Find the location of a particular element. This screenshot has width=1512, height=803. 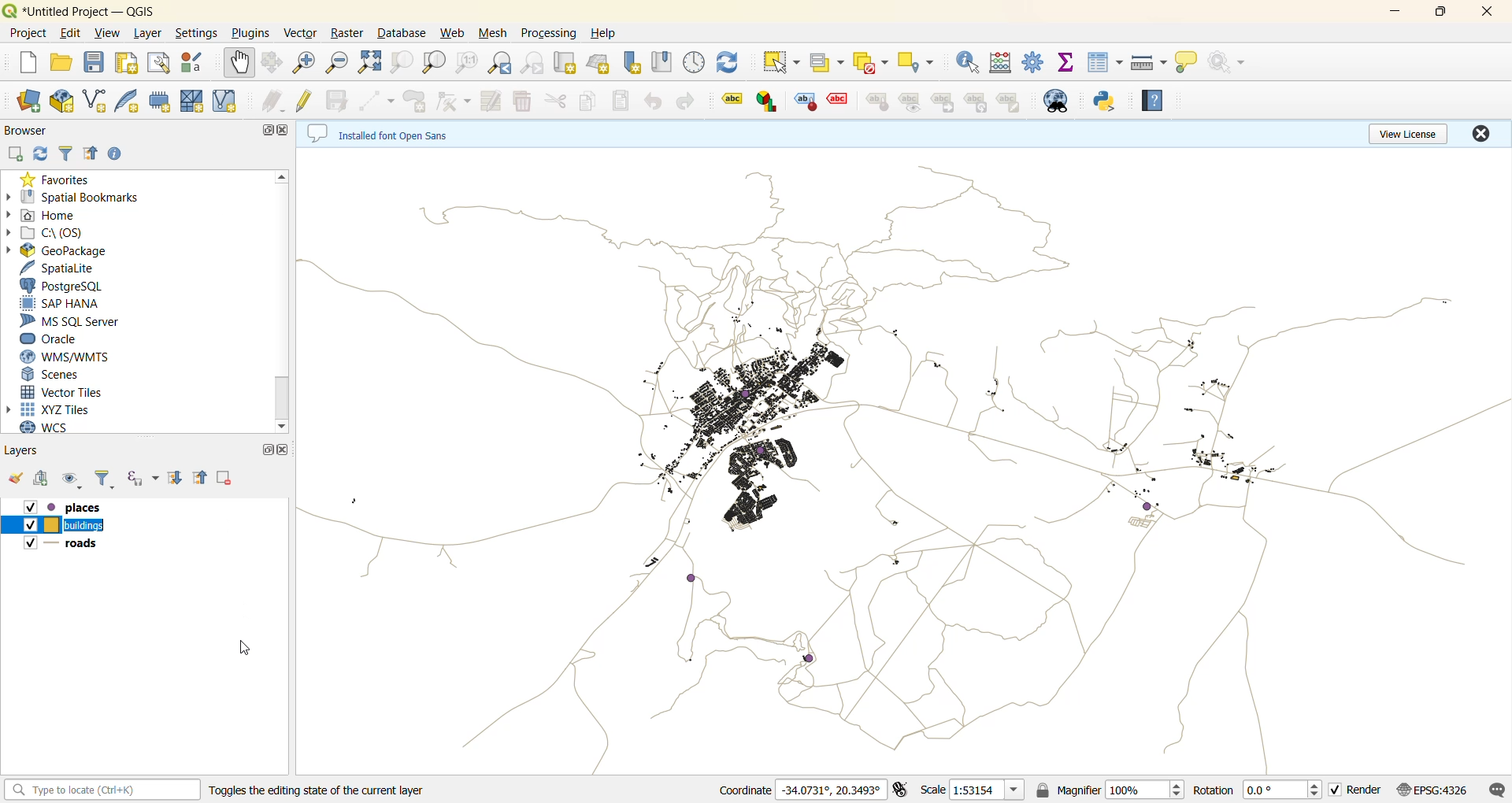

add polygon is located at coordinates (415, 100).